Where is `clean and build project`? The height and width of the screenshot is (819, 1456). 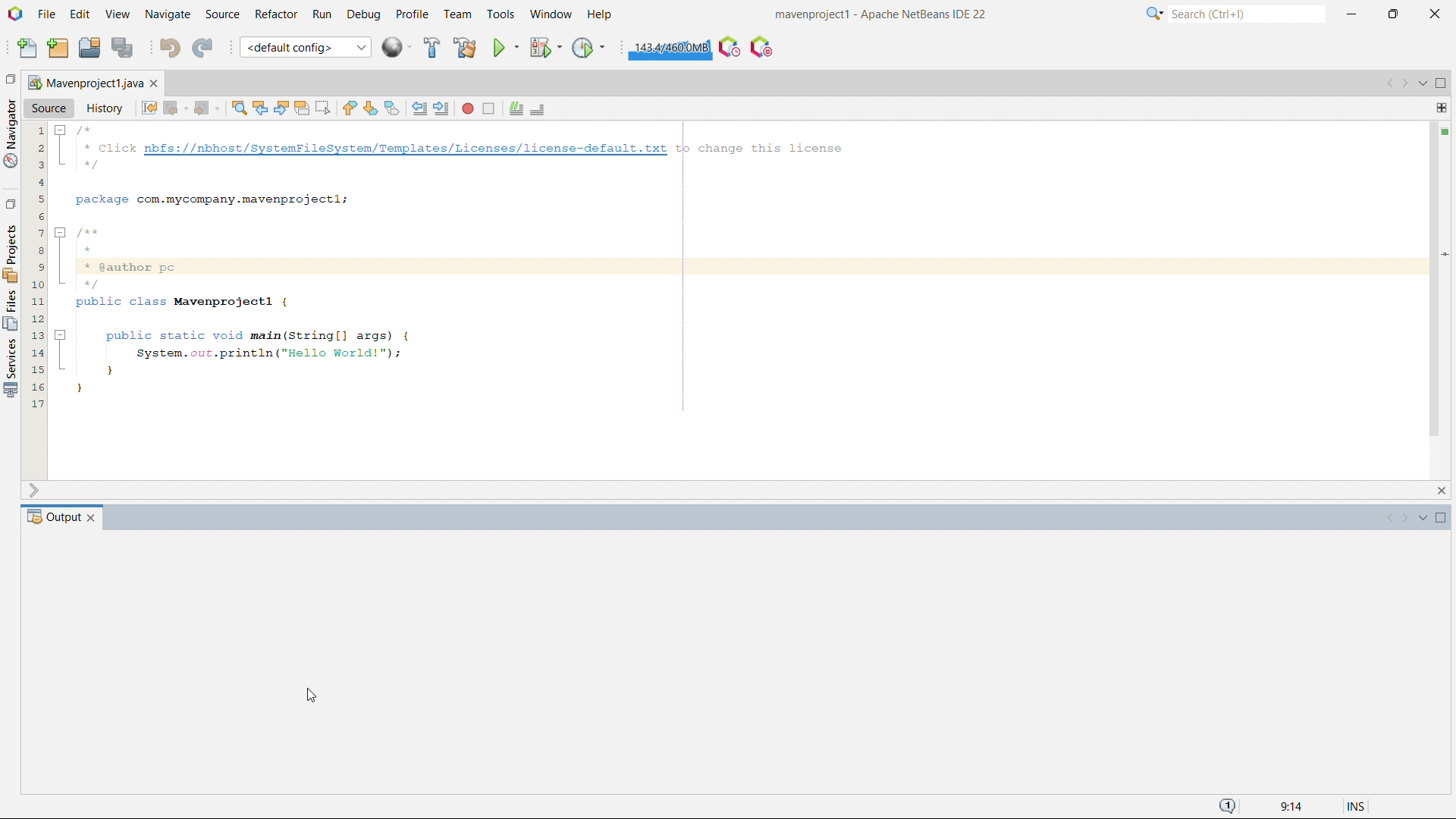
clean and build project is located at coordinates (464, 47).